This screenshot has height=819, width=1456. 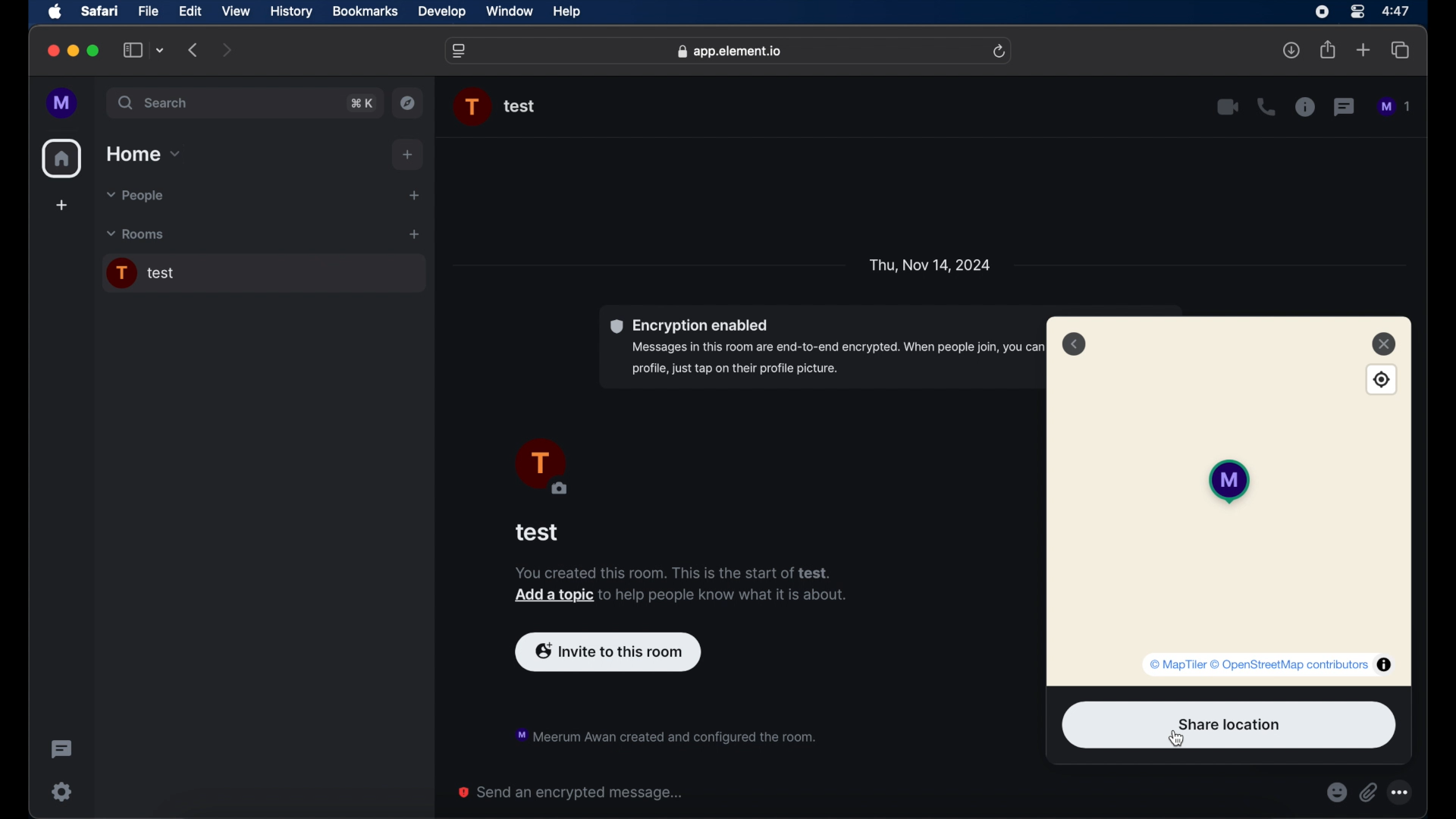 What do you see at coordinates (1266, 107) in the screenshot?
I see `voice call` at bounding box center [1266, 107].